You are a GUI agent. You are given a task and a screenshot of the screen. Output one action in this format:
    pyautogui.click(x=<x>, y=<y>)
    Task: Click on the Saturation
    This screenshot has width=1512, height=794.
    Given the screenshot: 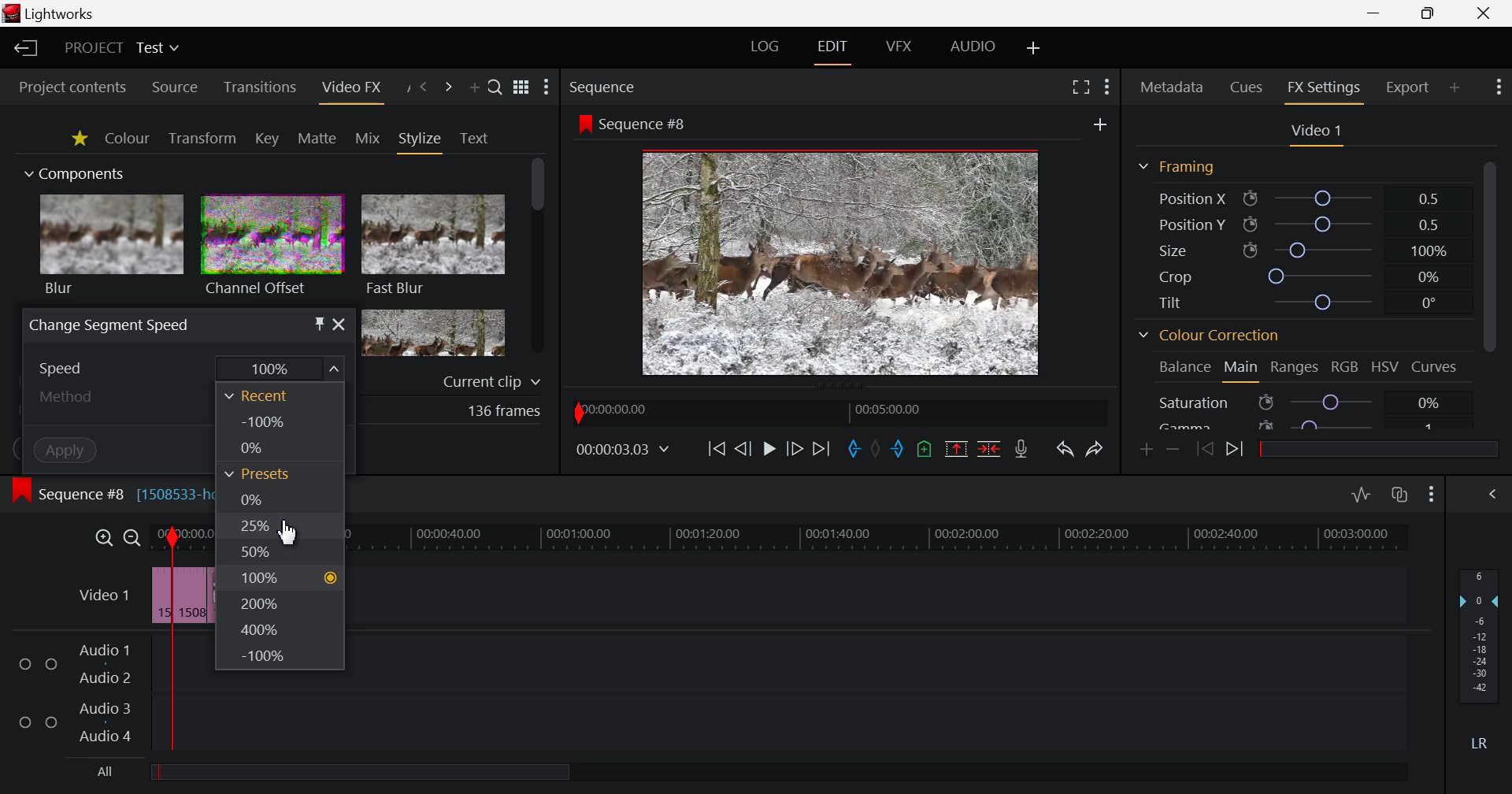 What is the action you would take?
    pyautogui.click(x=1310, y=400)
    